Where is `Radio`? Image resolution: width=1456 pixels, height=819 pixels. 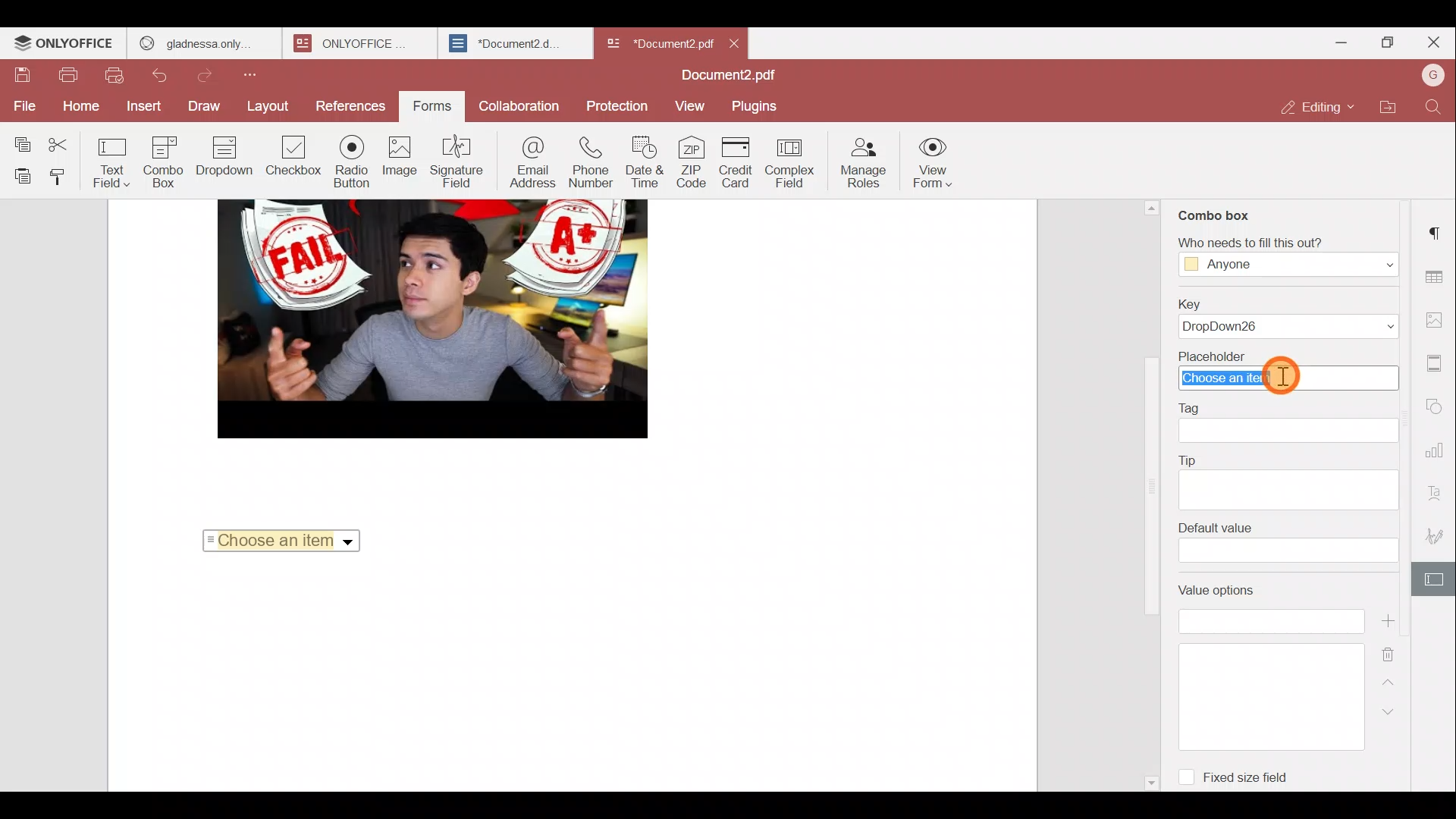
Radio is located at coordinates (352, 162).